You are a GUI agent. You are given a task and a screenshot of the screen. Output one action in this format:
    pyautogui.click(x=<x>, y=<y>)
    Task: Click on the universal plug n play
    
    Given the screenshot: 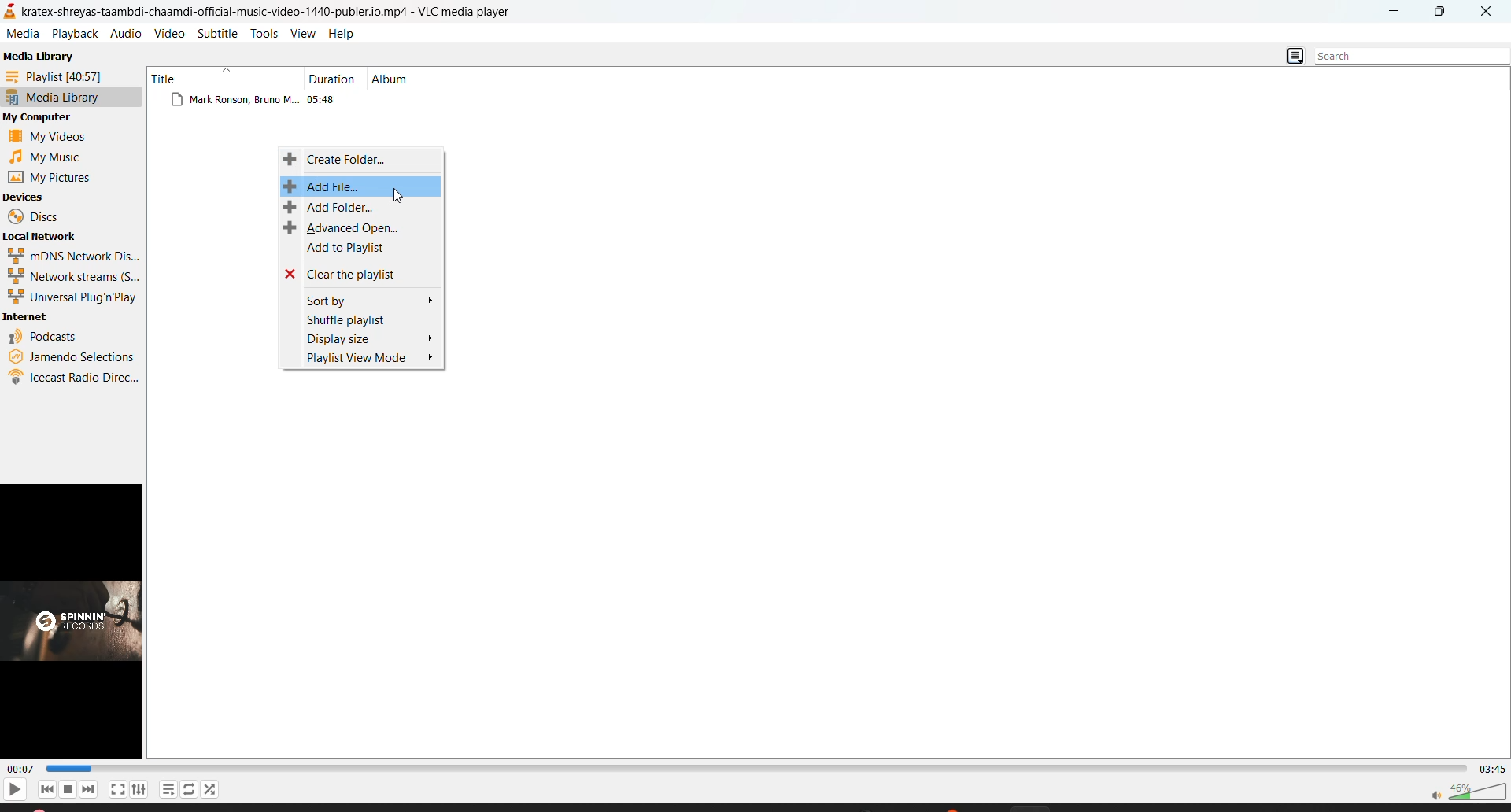 What is the action you would take?
    pyautogui.click(x=71, y=297)
    